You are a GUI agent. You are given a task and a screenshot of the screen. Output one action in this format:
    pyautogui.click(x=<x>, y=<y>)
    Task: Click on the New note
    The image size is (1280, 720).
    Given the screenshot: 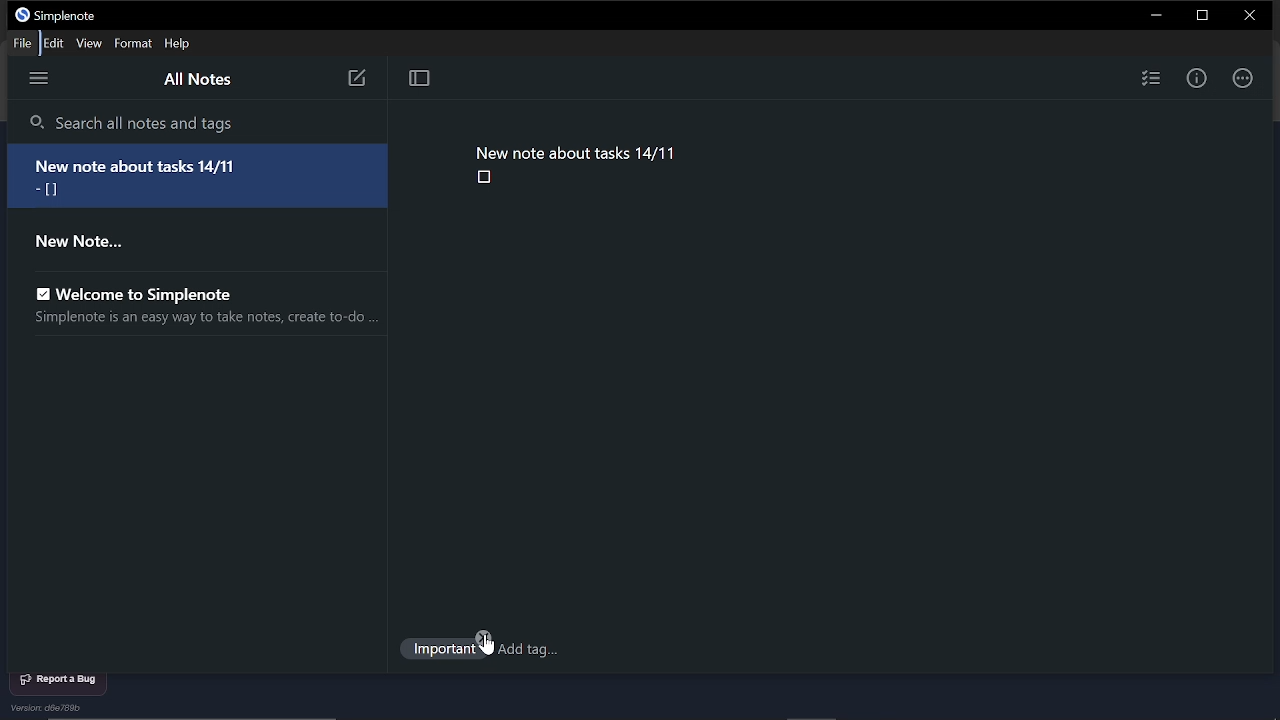 What is the action you would take?
    pyautogui.click(x=356, y=79)
    